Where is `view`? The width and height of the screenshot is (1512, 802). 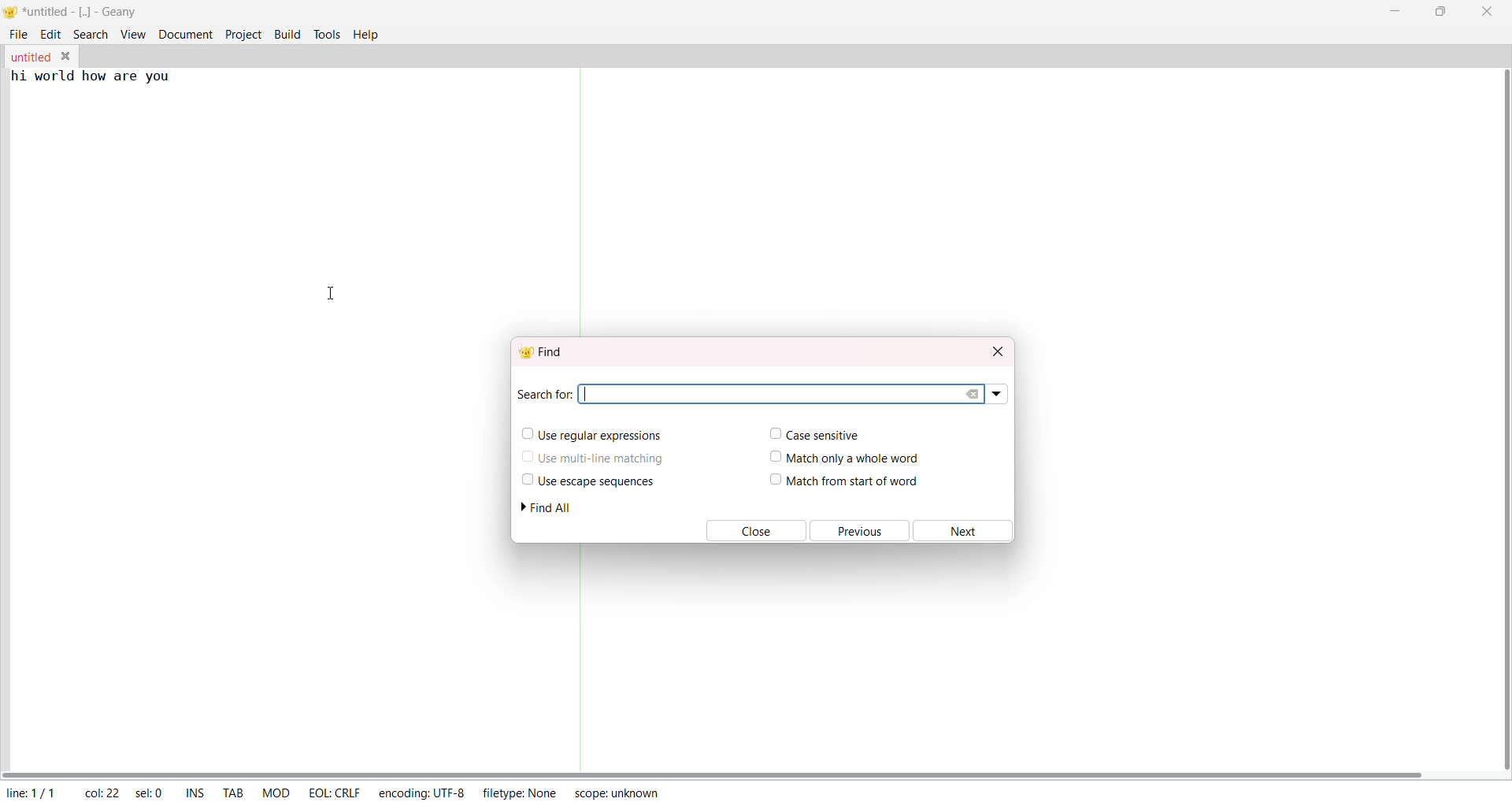 view is located at coordinates (134, 34).